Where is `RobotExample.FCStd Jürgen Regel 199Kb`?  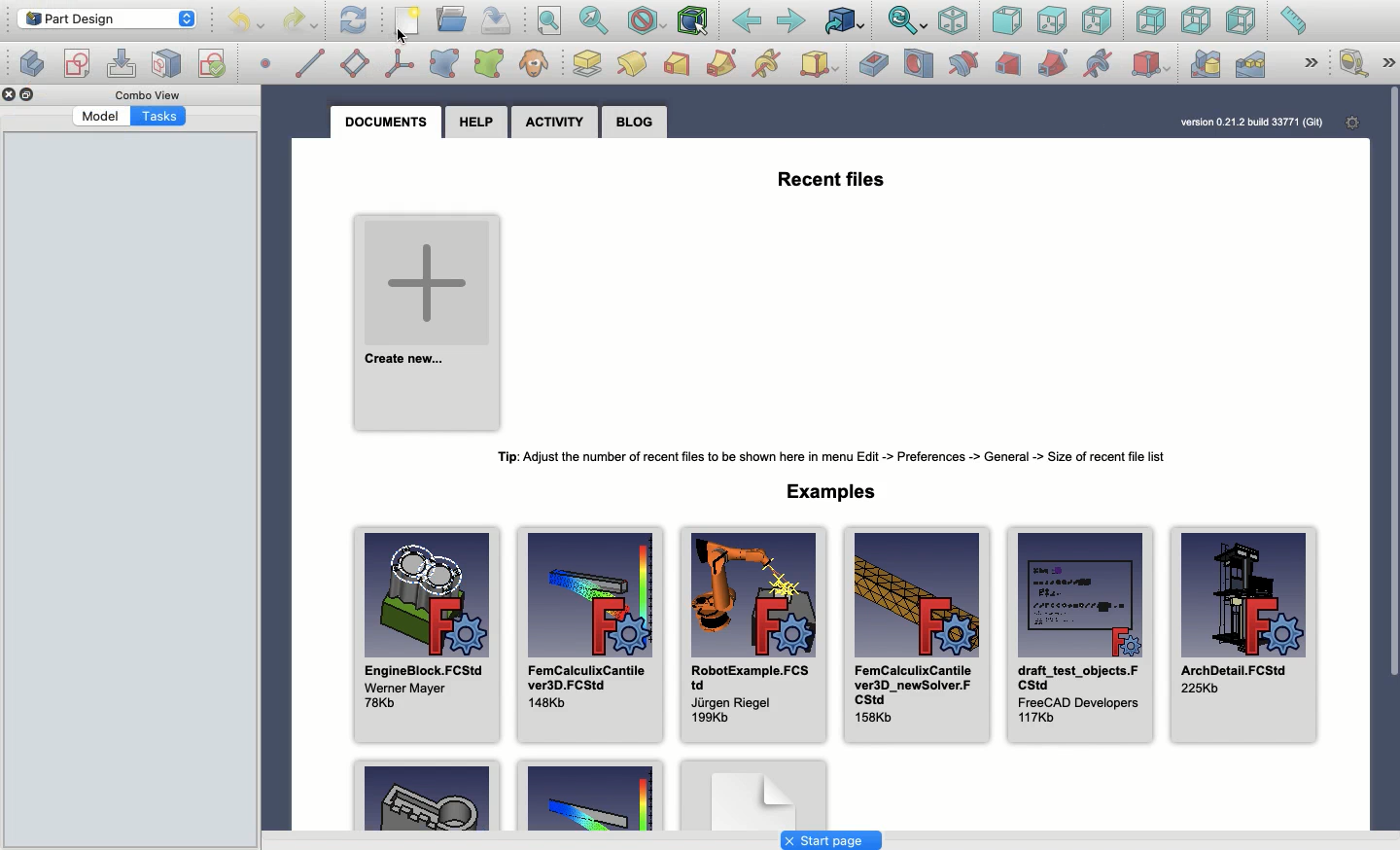
RobotExample.FCStd Jürgen Regel 199Kb is located at coordinates (752, 634).